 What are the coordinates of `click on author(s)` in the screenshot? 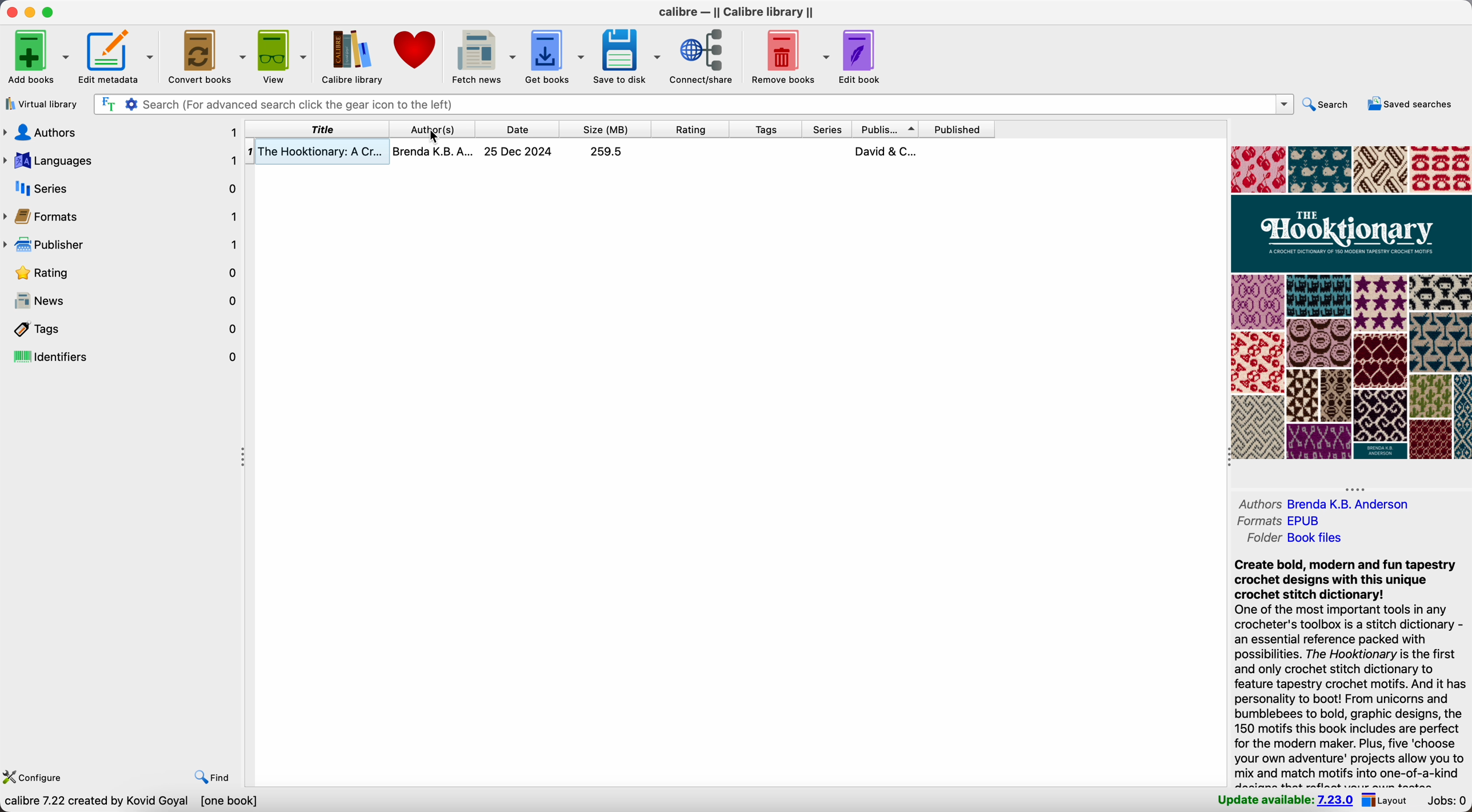 It's located at (434, 129).